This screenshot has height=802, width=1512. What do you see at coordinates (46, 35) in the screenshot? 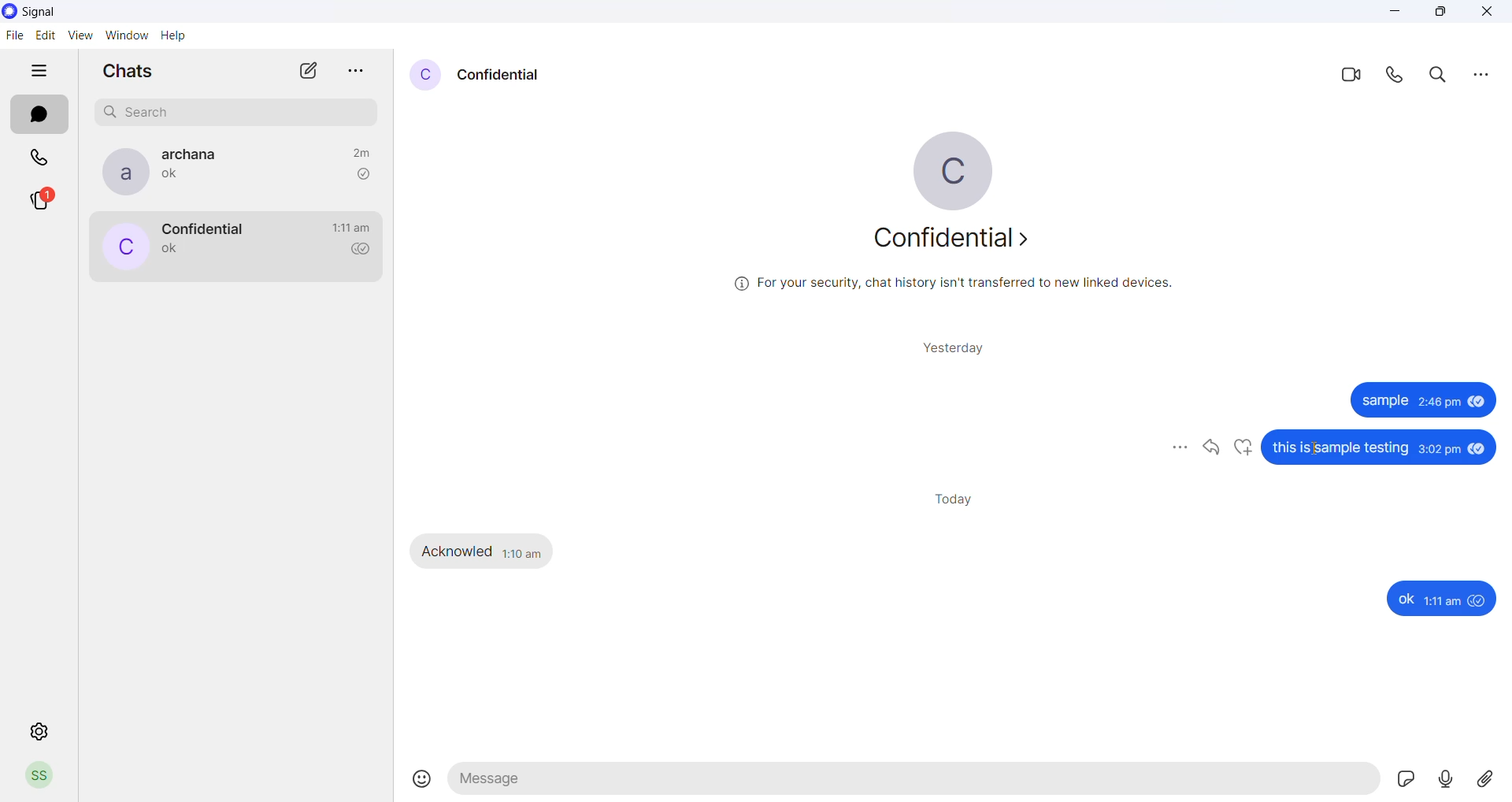
I see `edit` at bounding box center [46, 35].